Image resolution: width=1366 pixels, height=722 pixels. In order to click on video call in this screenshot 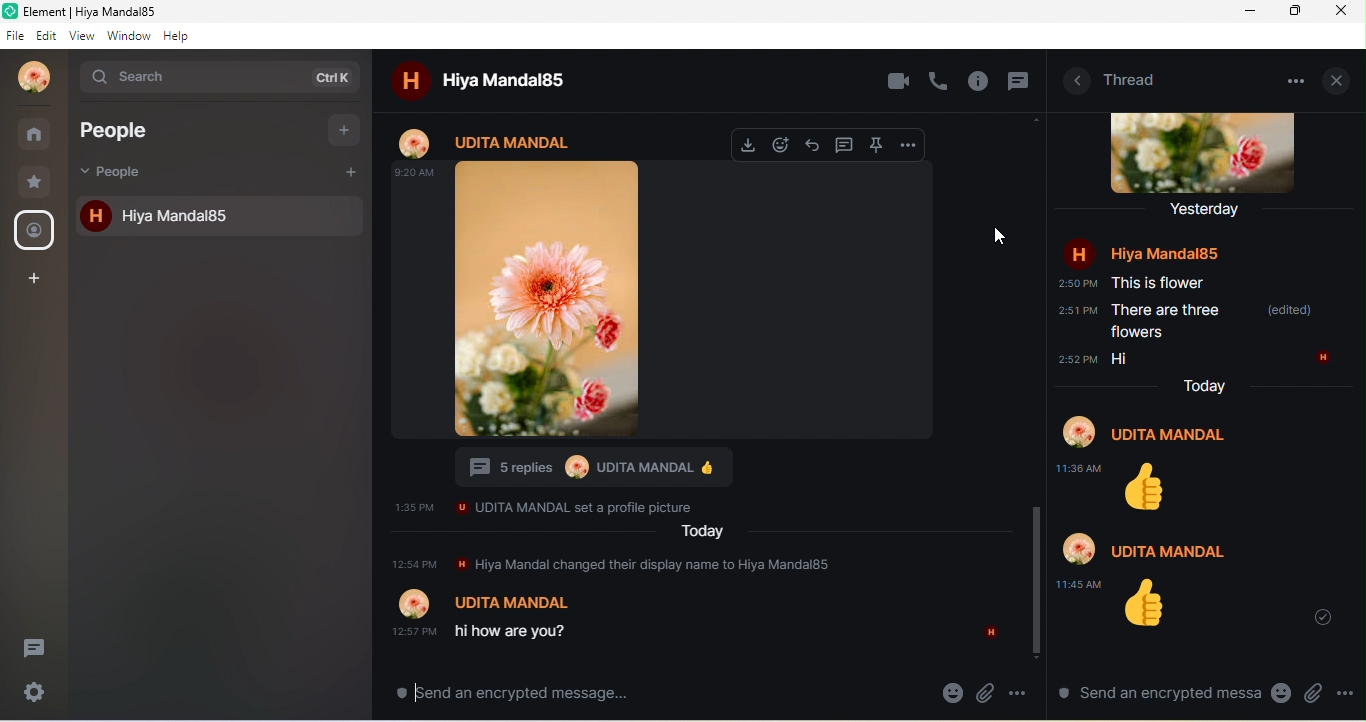, I will do `click(899, 81)`.